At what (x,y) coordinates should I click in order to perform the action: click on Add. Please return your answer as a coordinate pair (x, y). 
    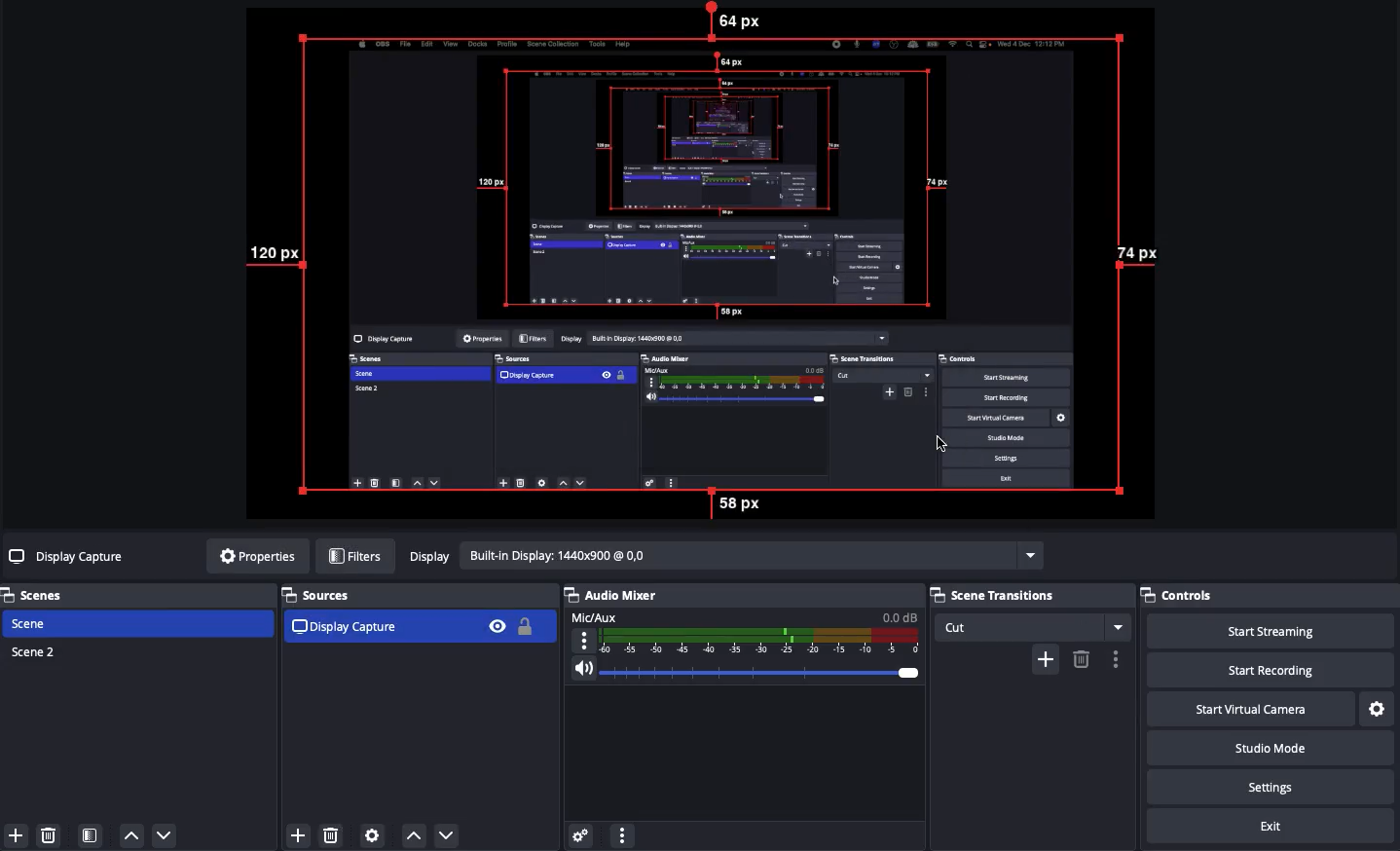
    Looking at the image, I should click on (1045, 657).